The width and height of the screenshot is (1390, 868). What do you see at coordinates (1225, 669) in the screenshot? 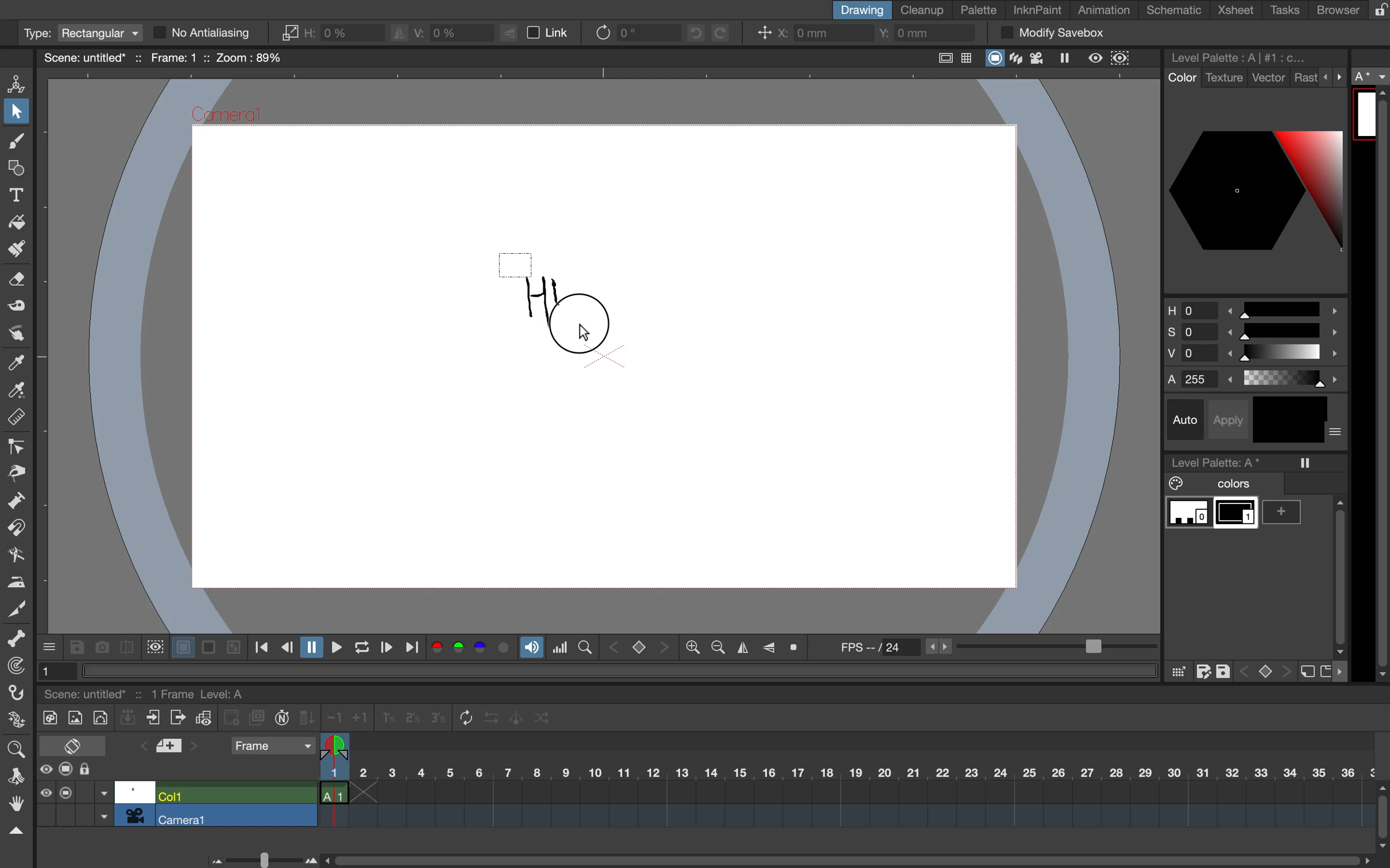
I see `save` at bounding box center [1225, 669].